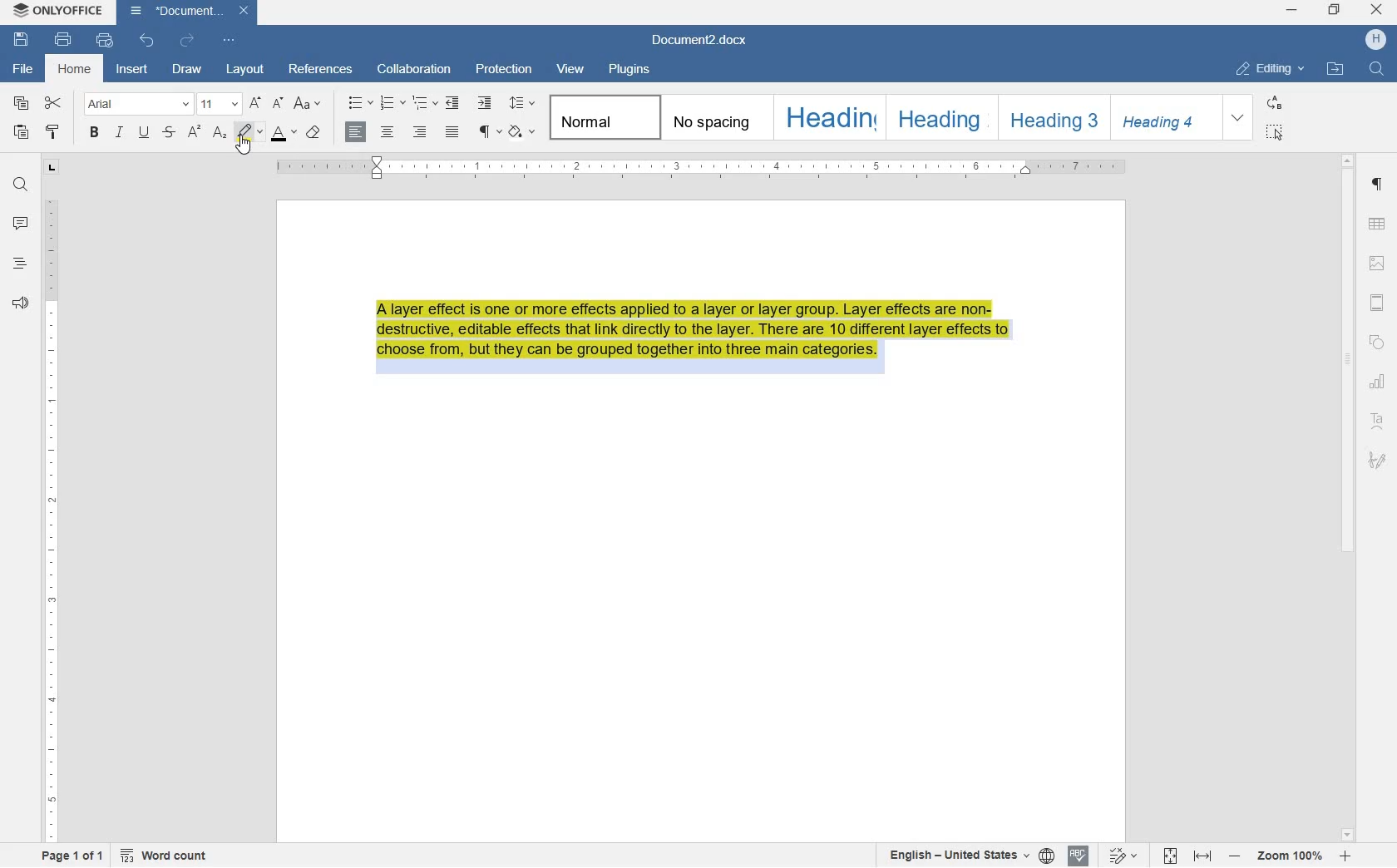 The width and height of the screenshot is (1397, 868). Describe the element at coordinates (220, 133) in the screenshot. I see `SUBSCRIPT` at that location.